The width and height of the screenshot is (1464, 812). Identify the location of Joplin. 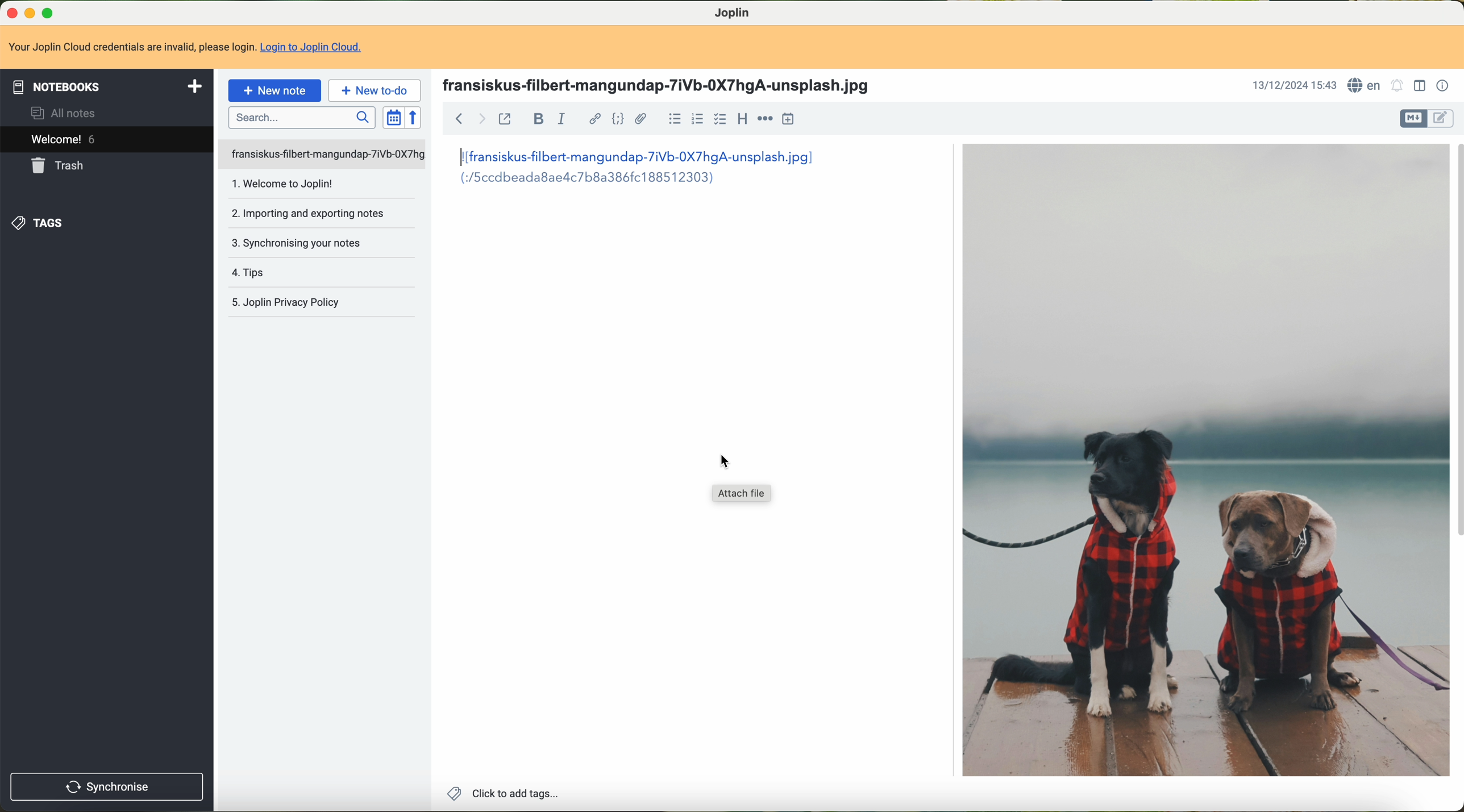
(738, 14).